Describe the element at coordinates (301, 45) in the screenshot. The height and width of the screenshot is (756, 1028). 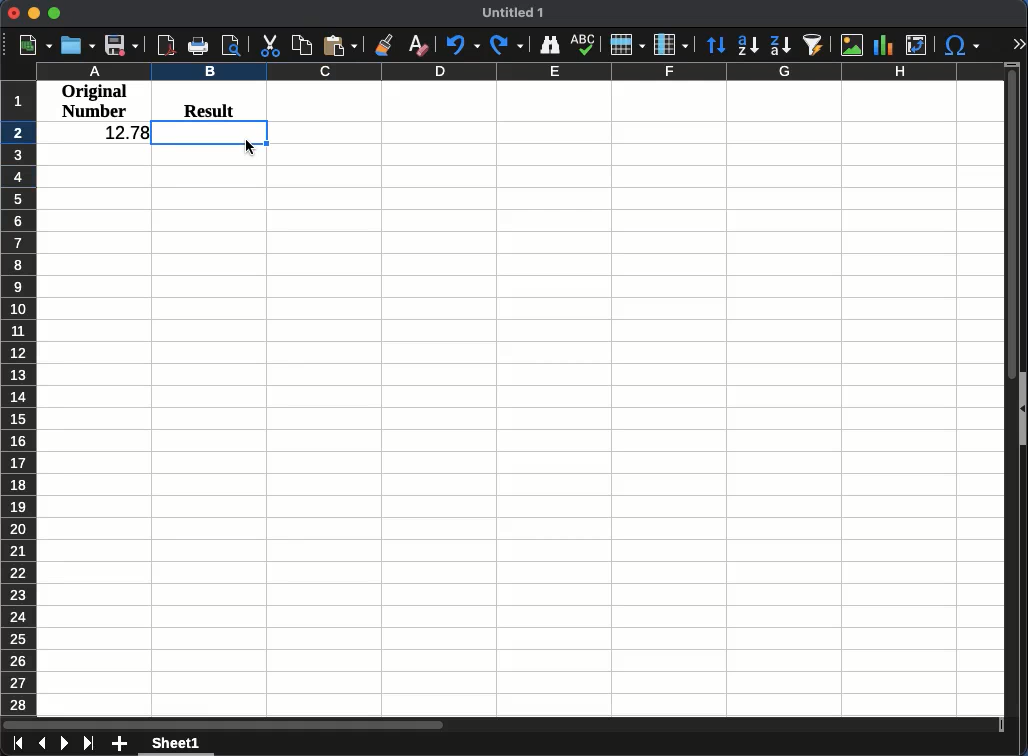
I see `copy` at that location.